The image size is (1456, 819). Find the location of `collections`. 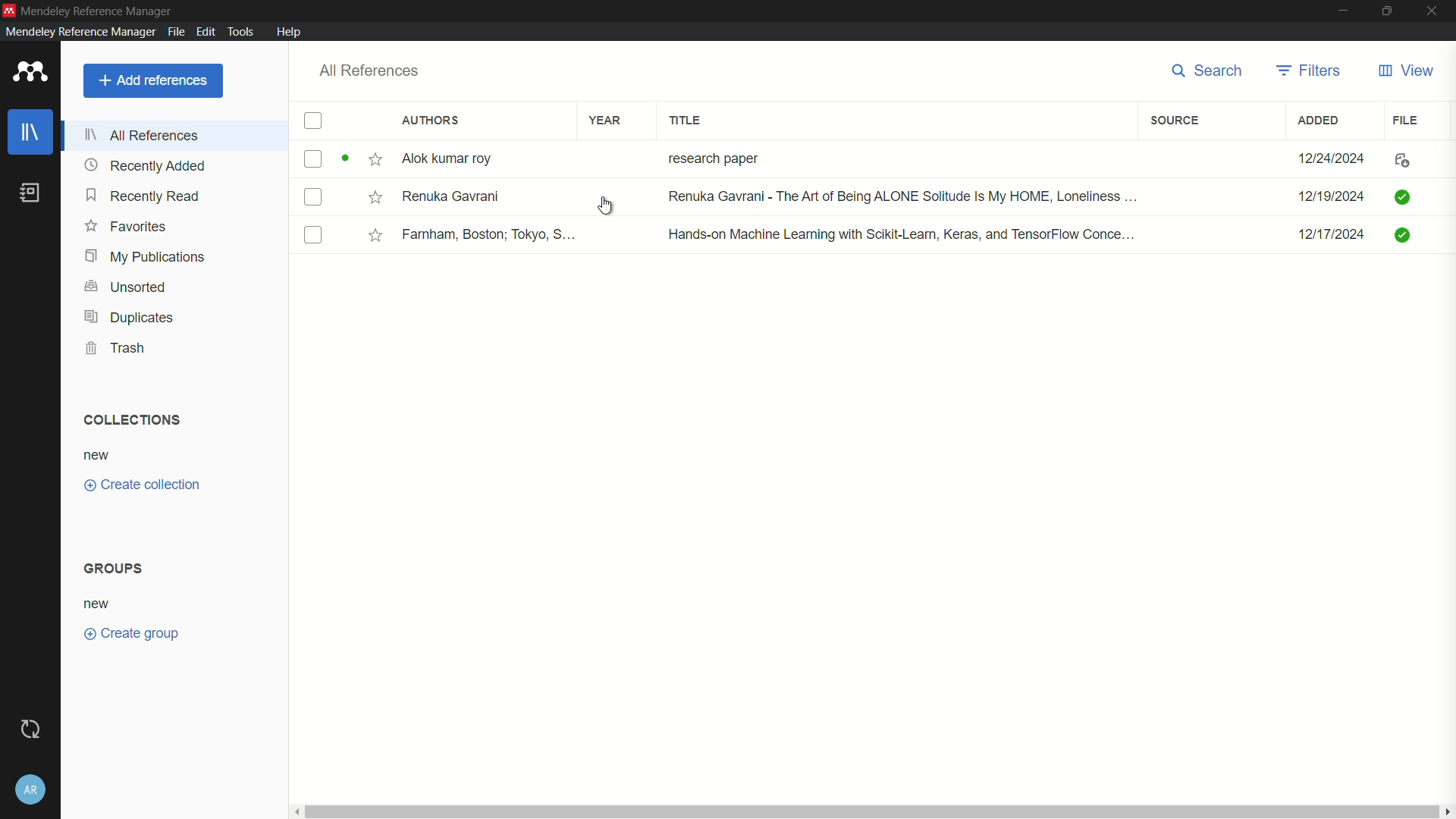

collections is located at coordinates (131, 421).